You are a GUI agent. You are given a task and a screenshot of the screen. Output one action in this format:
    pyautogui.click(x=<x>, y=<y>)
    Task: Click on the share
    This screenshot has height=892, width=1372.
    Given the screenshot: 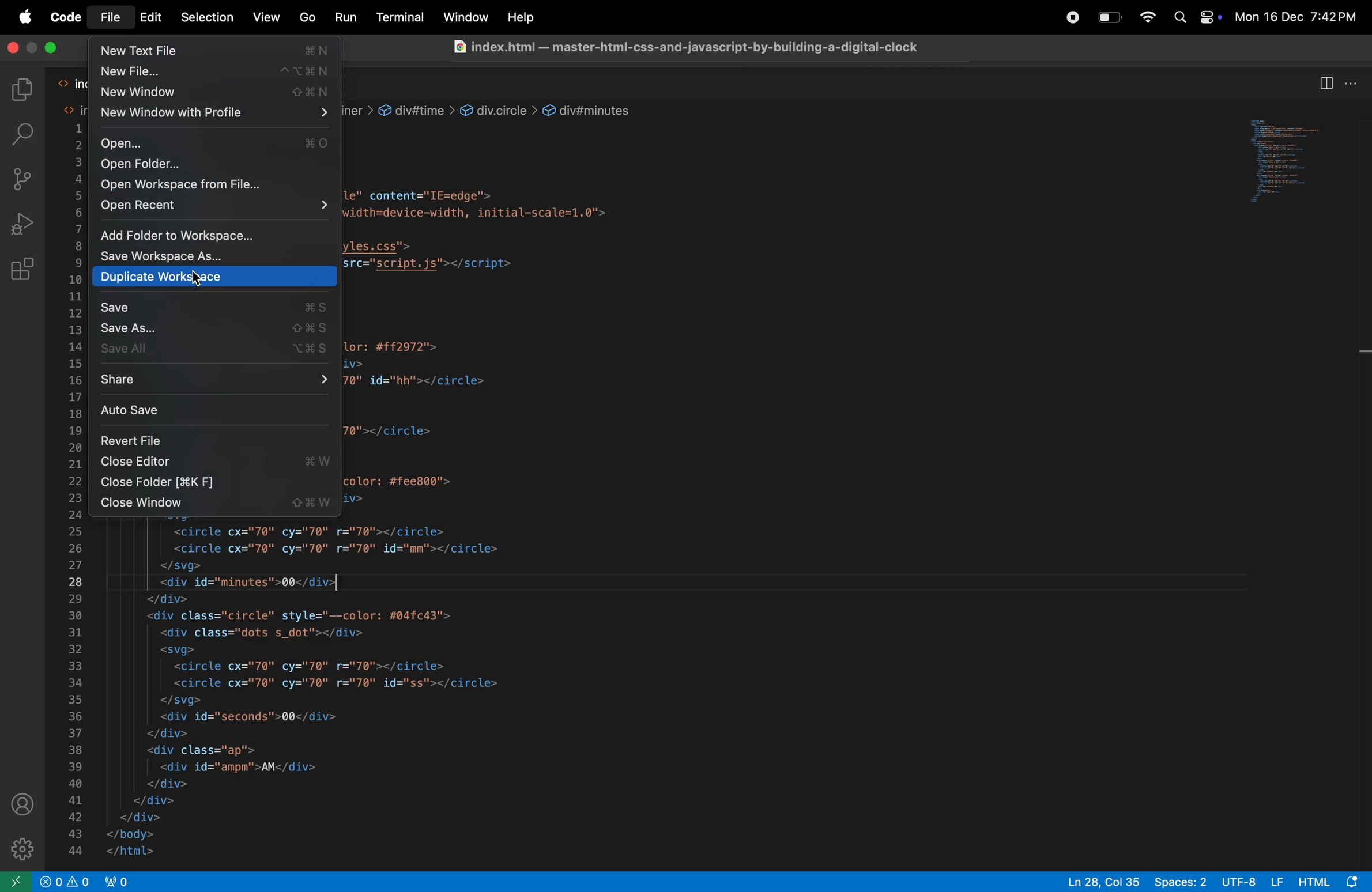 What is the action you would take?
    pyautogui.click(x=218, y=378)
    